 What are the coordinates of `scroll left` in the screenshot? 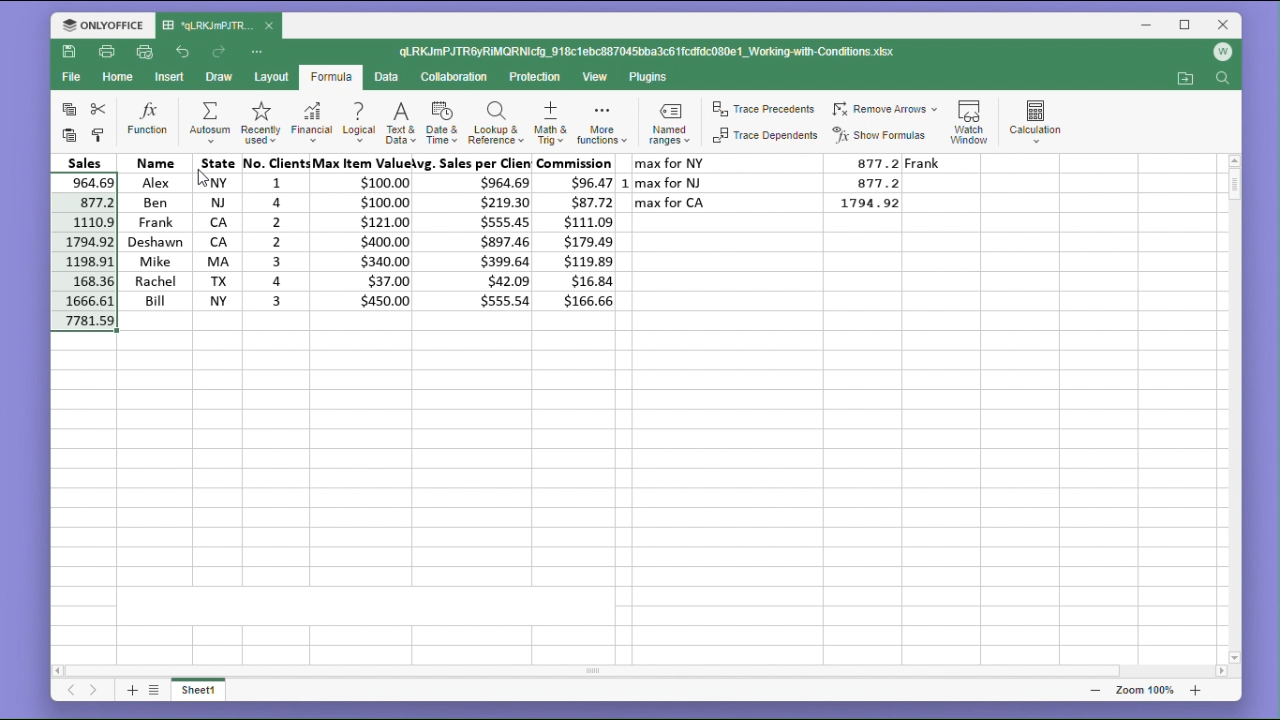 It's located at (59, 668).